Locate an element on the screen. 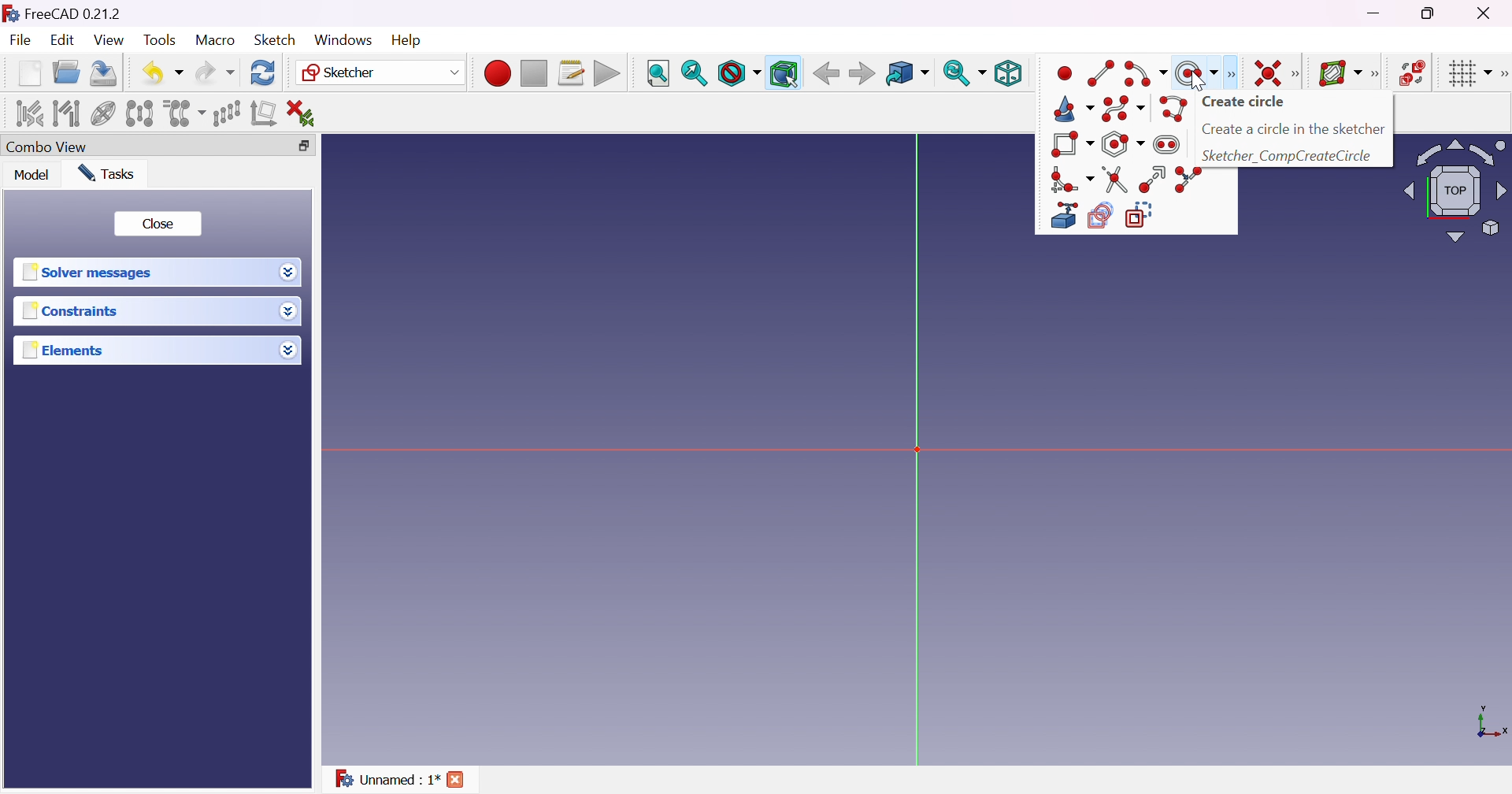 The width and height of the screenshot is (1512, 794). Close is located at coordinates (457, 778).